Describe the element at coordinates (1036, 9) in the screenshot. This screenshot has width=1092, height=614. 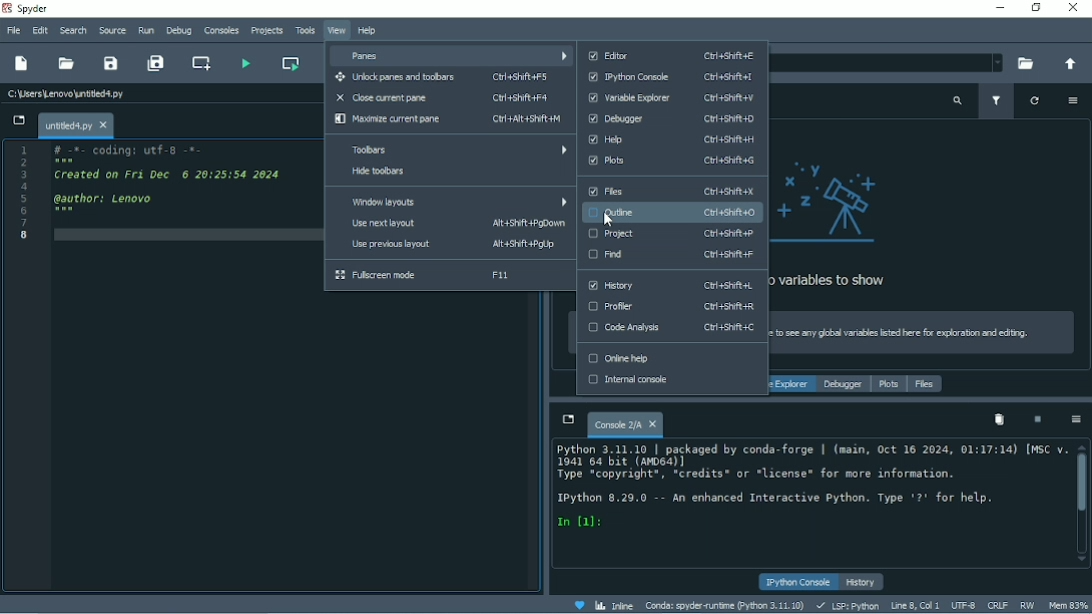
I see `Restore down` at that location.